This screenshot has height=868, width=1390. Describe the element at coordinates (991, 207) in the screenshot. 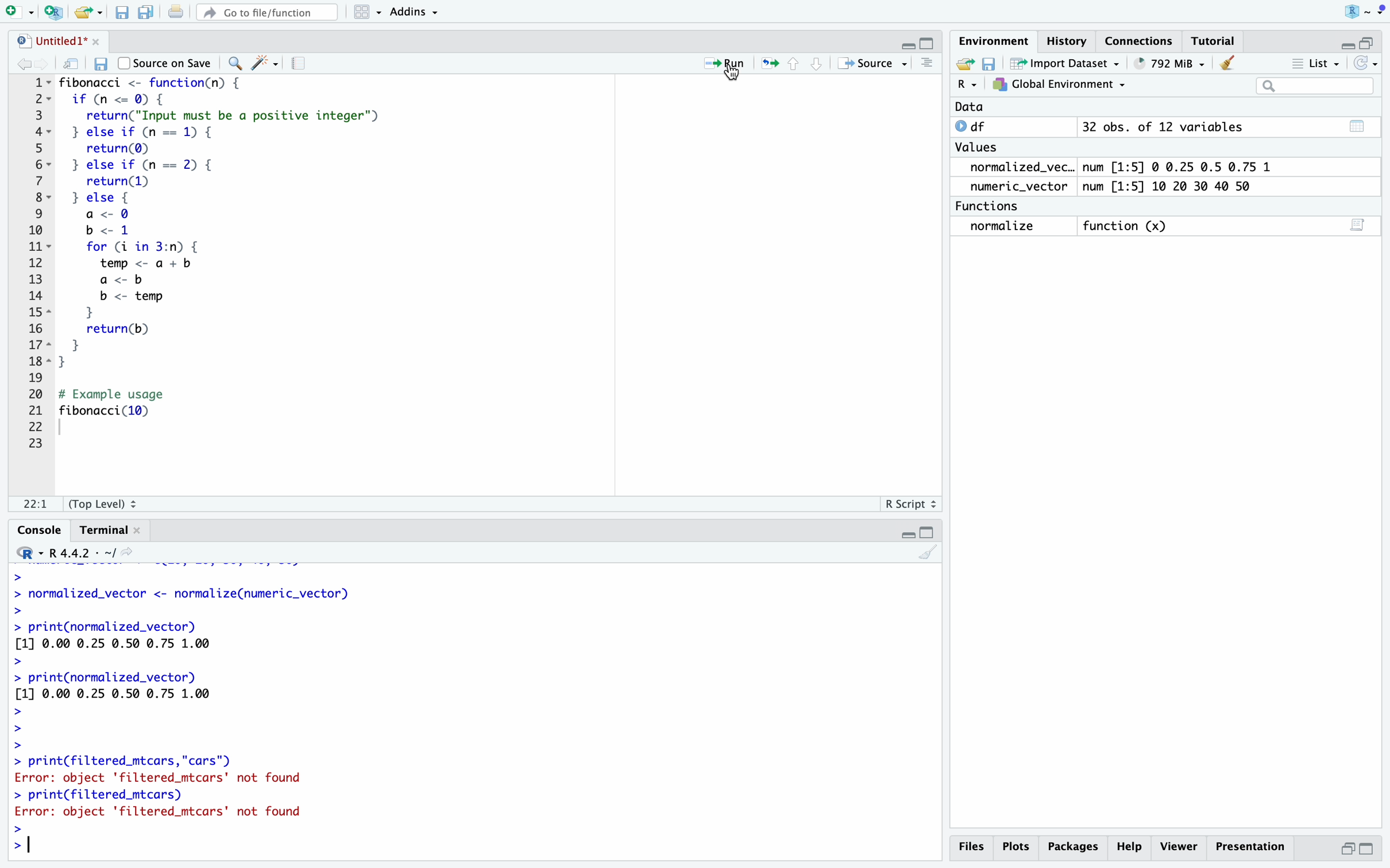

I see `functions` at that location.